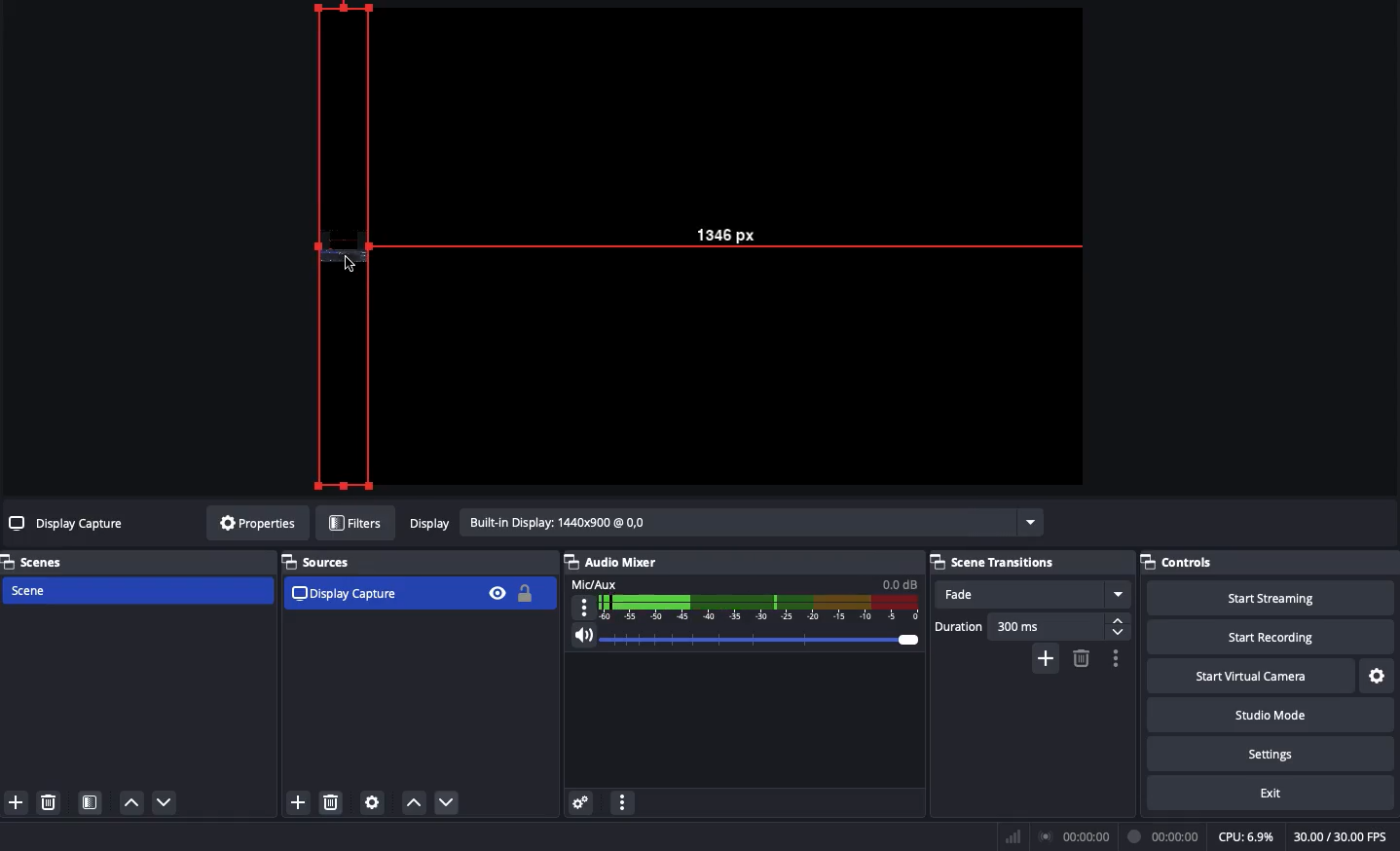 Image resolution: width=1400 pixels, height=851 pixels. Describe the element at coordinates (736, 559) in the screenshot. I see `Audio/mixer` at that location.